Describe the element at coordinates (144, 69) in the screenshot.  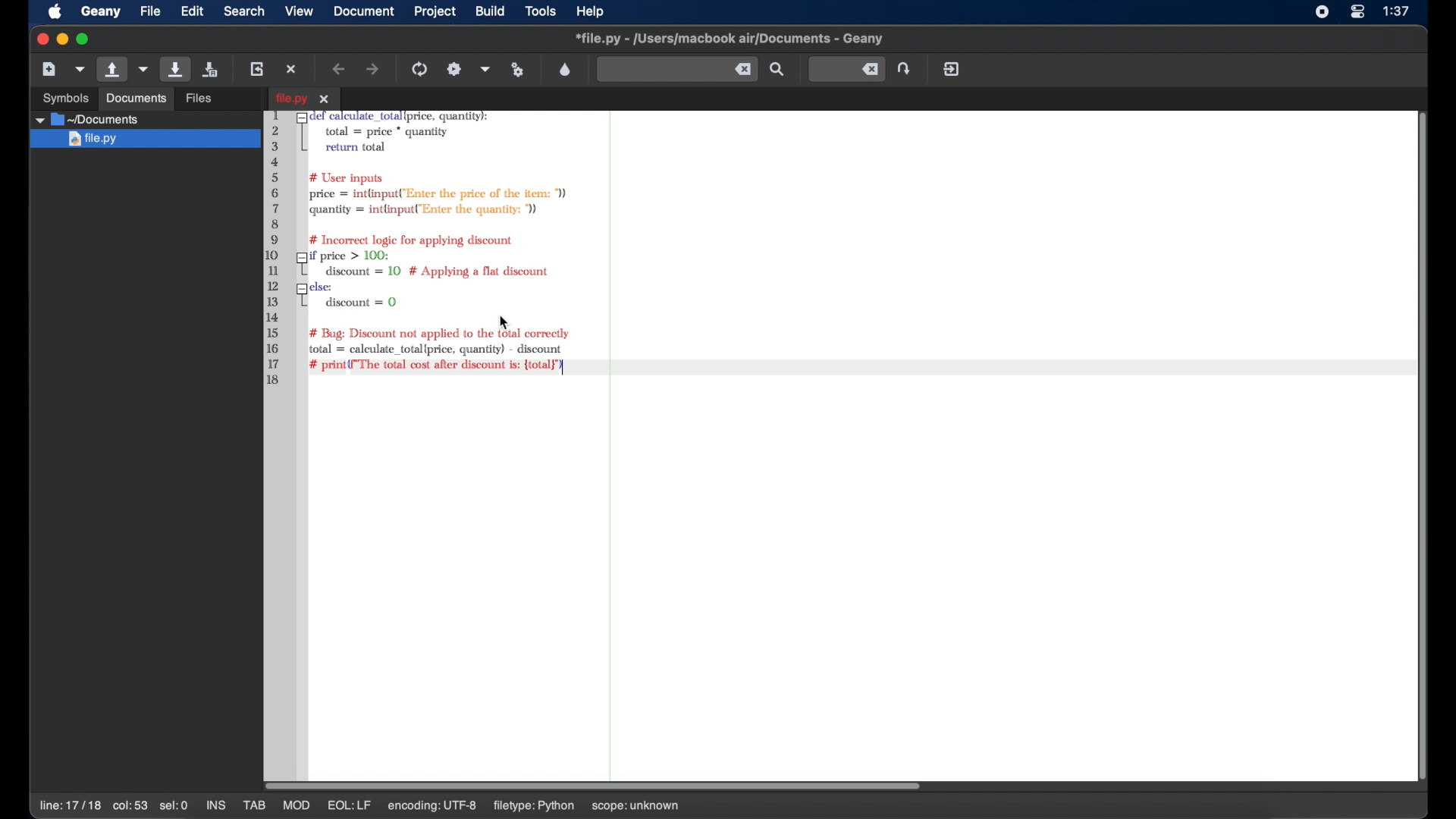
I see `open a recent file` at that location.